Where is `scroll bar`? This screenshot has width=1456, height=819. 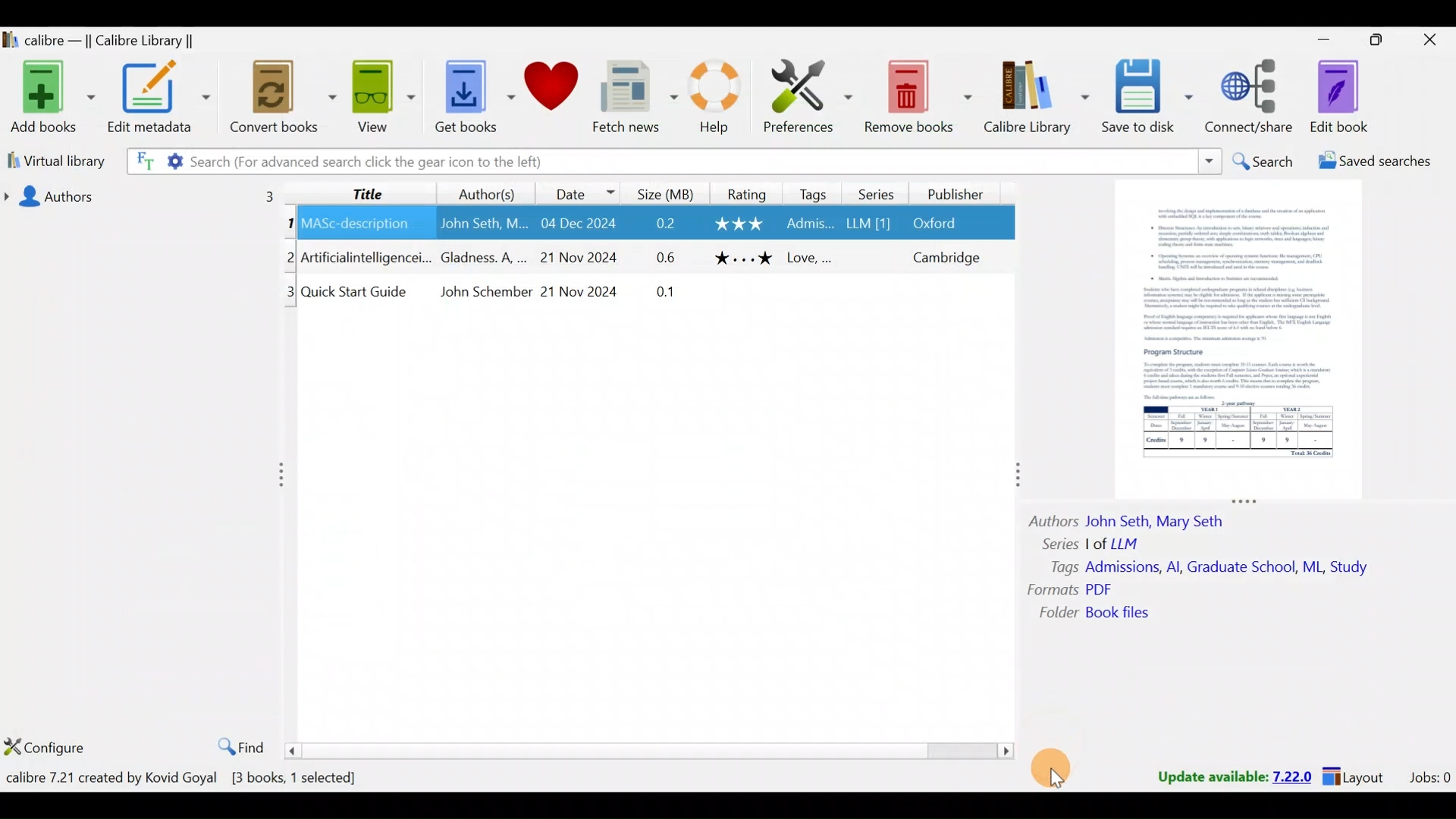
scroll bar is located at coordinates (650, 748).